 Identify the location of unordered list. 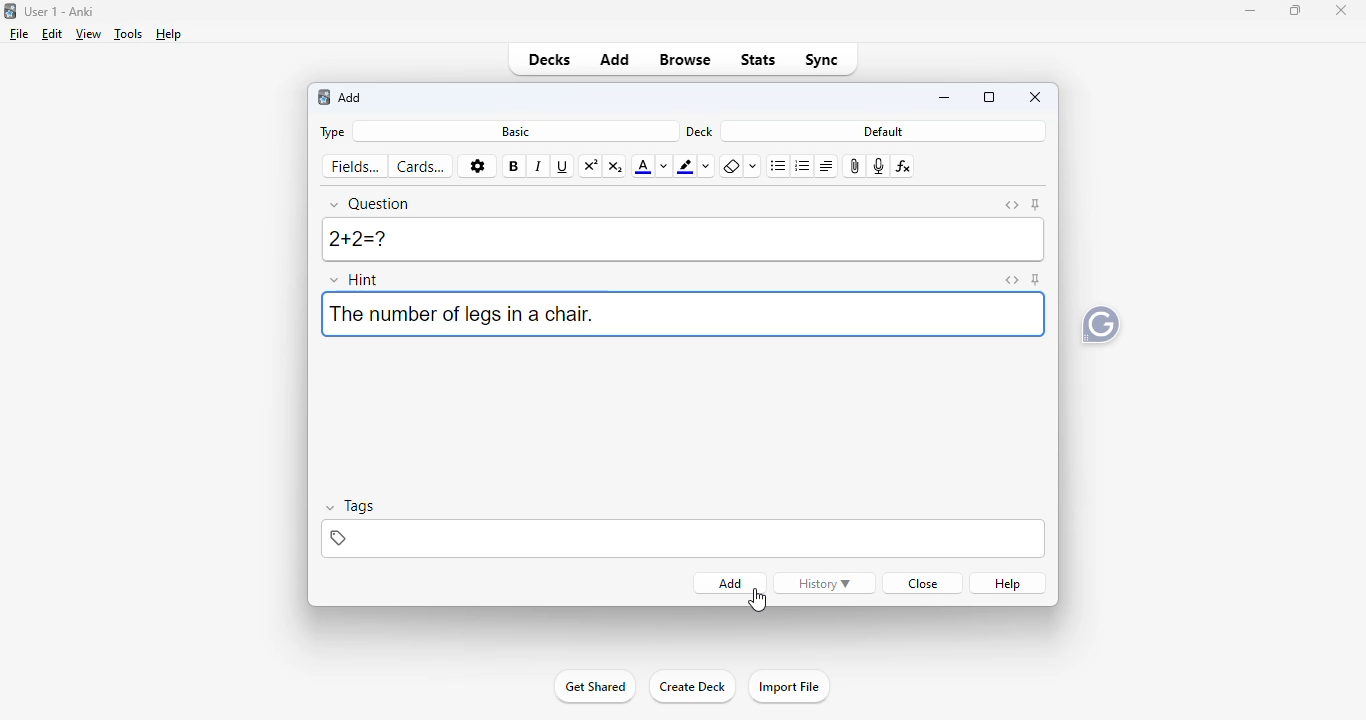
(778, 167).